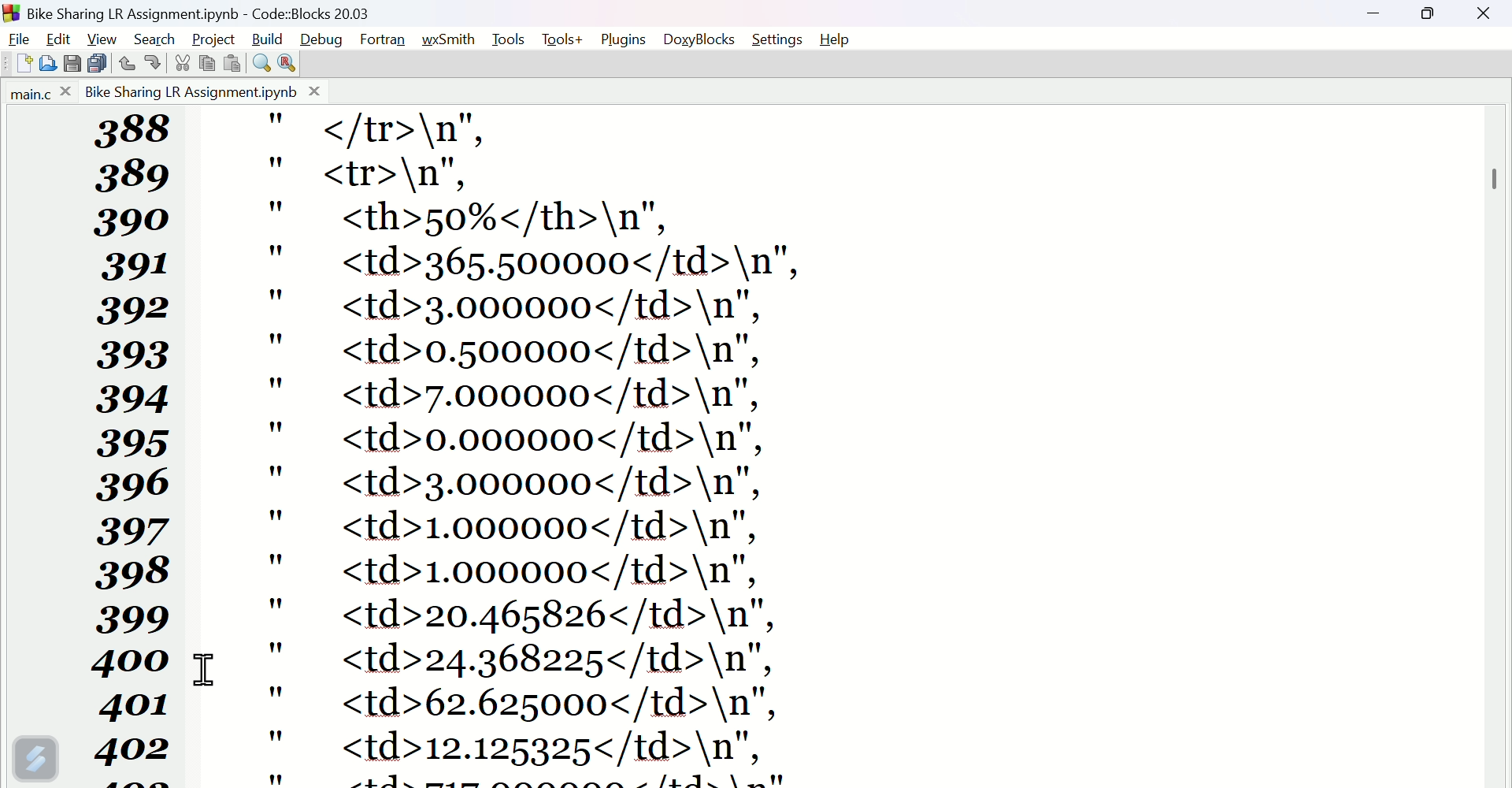 Image resolution: width=1512 pixels, height=788 pixels. I want to click on minimize, so click(1380, 15).